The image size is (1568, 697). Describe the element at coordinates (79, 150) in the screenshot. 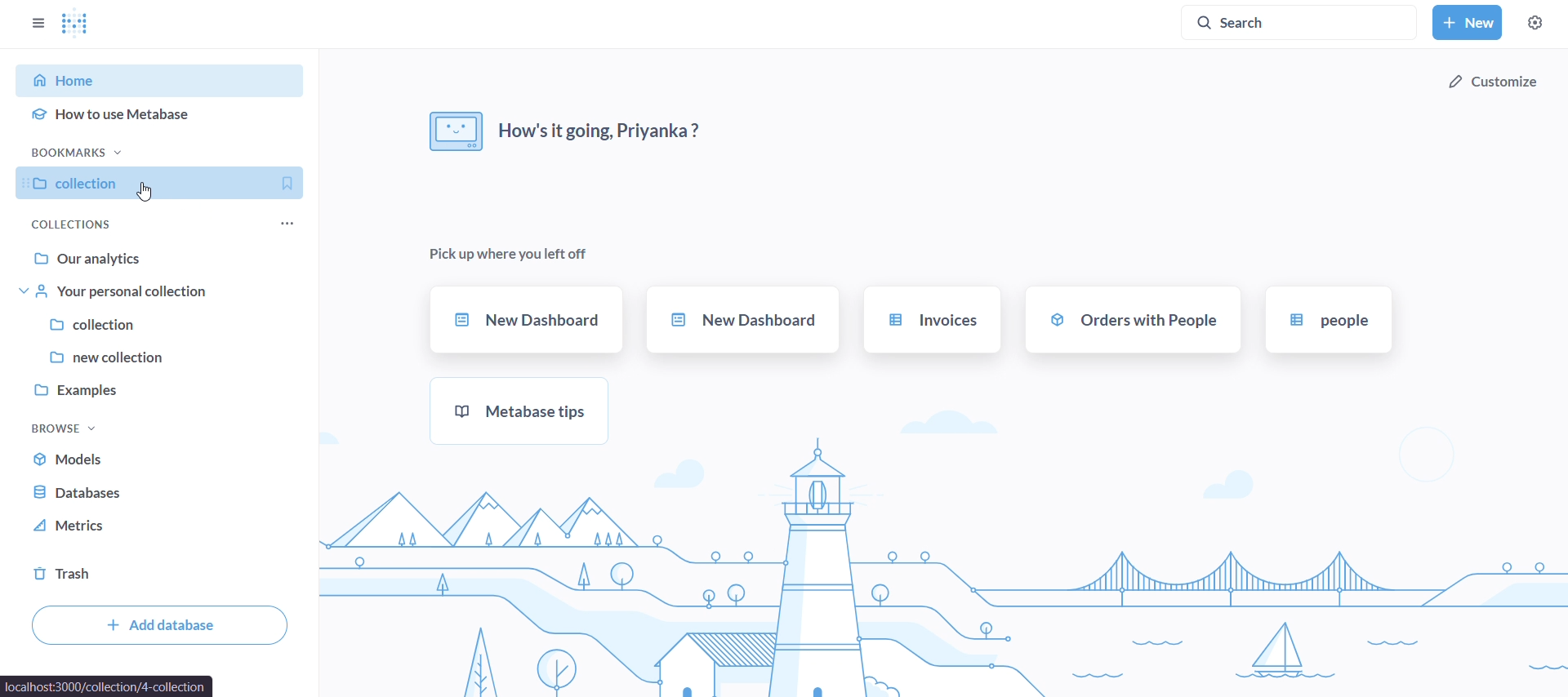

I see `bookmarks` at that location.